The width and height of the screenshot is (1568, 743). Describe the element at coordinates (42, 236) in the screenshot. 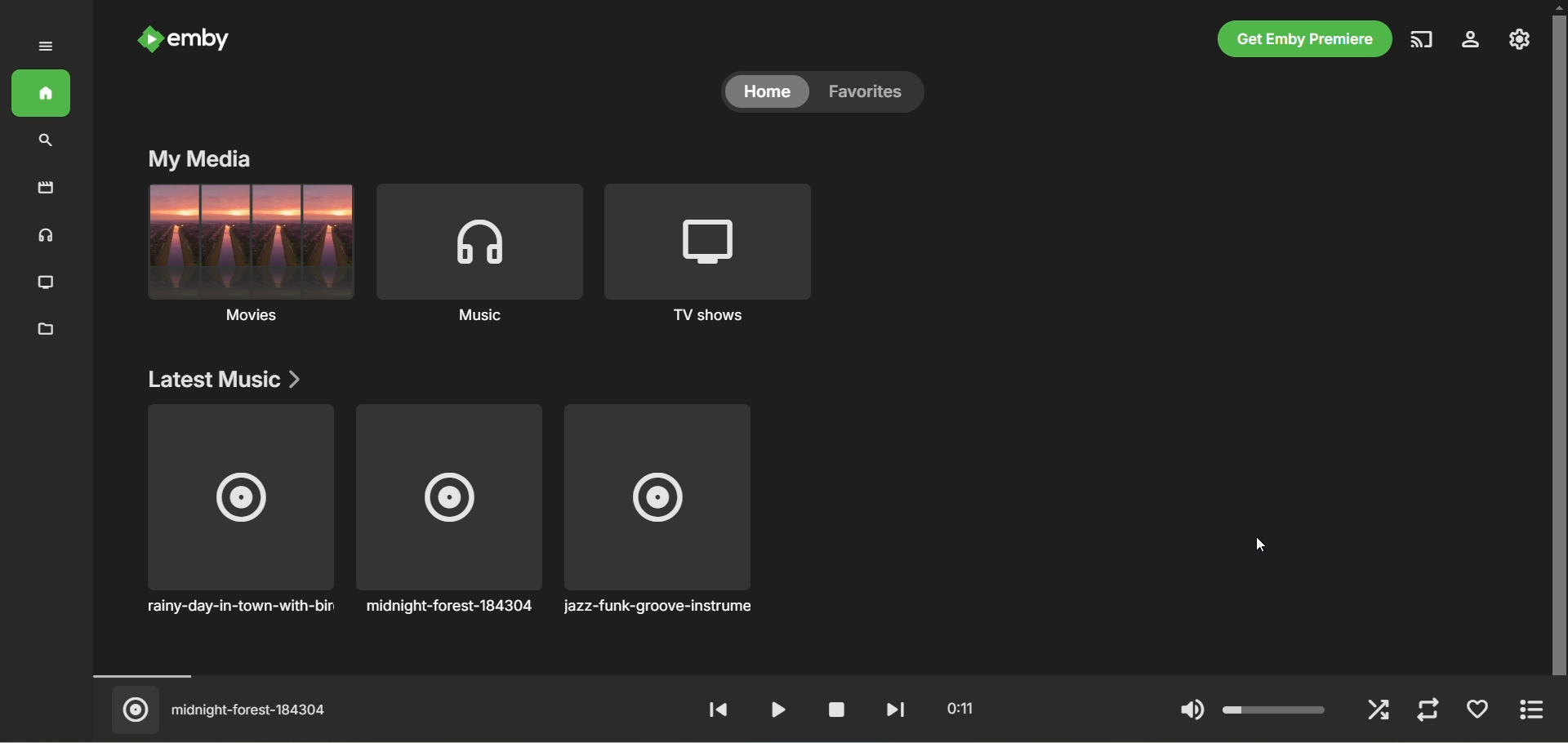

I see `music` at that location.